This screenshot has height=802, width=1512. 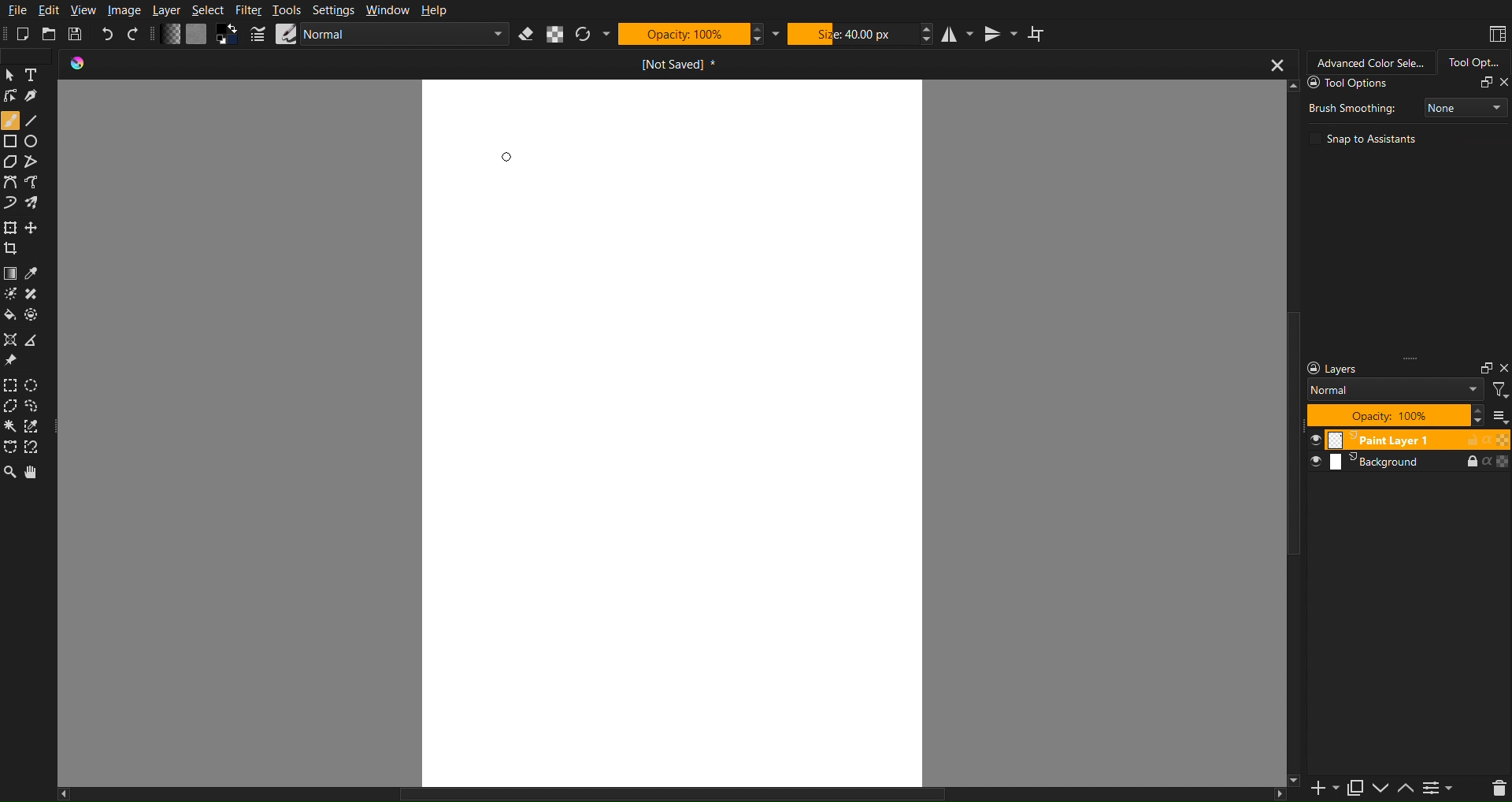 What do you see at coordinates (248, 9) in the screenshot?
I see `Filter` at bounding box center [248, 9].